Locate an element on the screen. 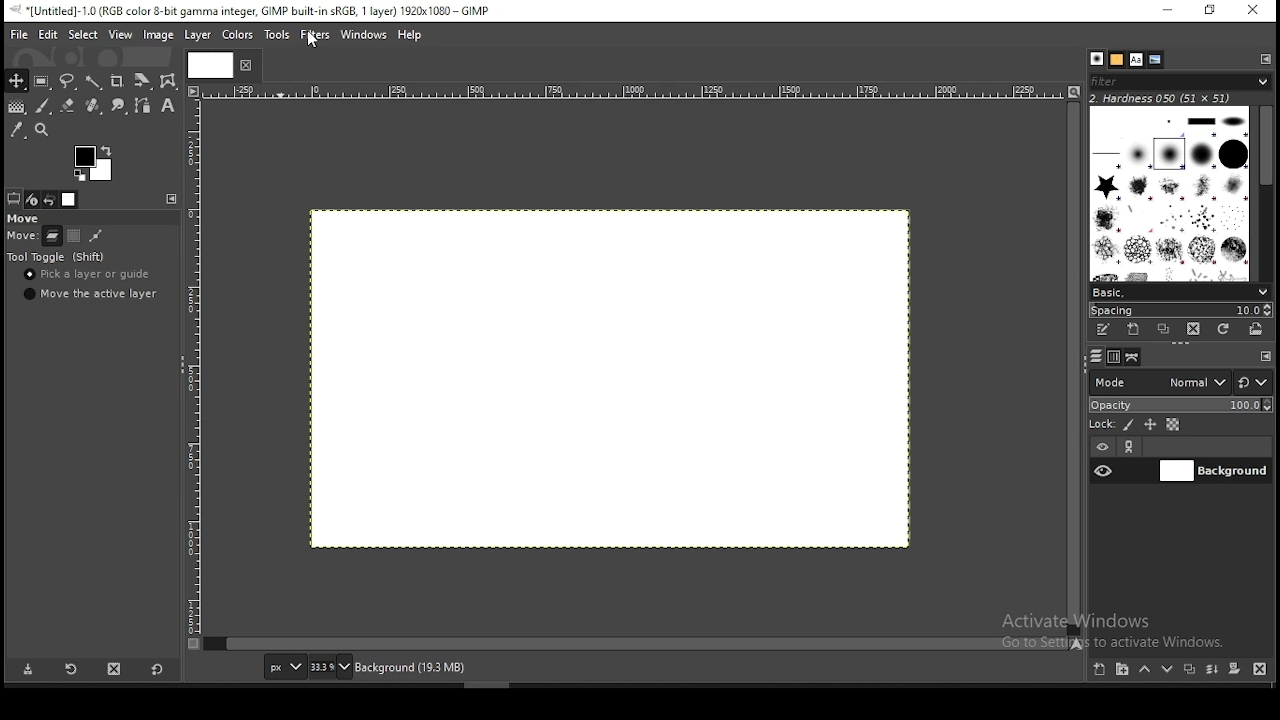 The width and height of the screenshot is (1280, 720). edit this brush is located at coordinates (1101, 330).